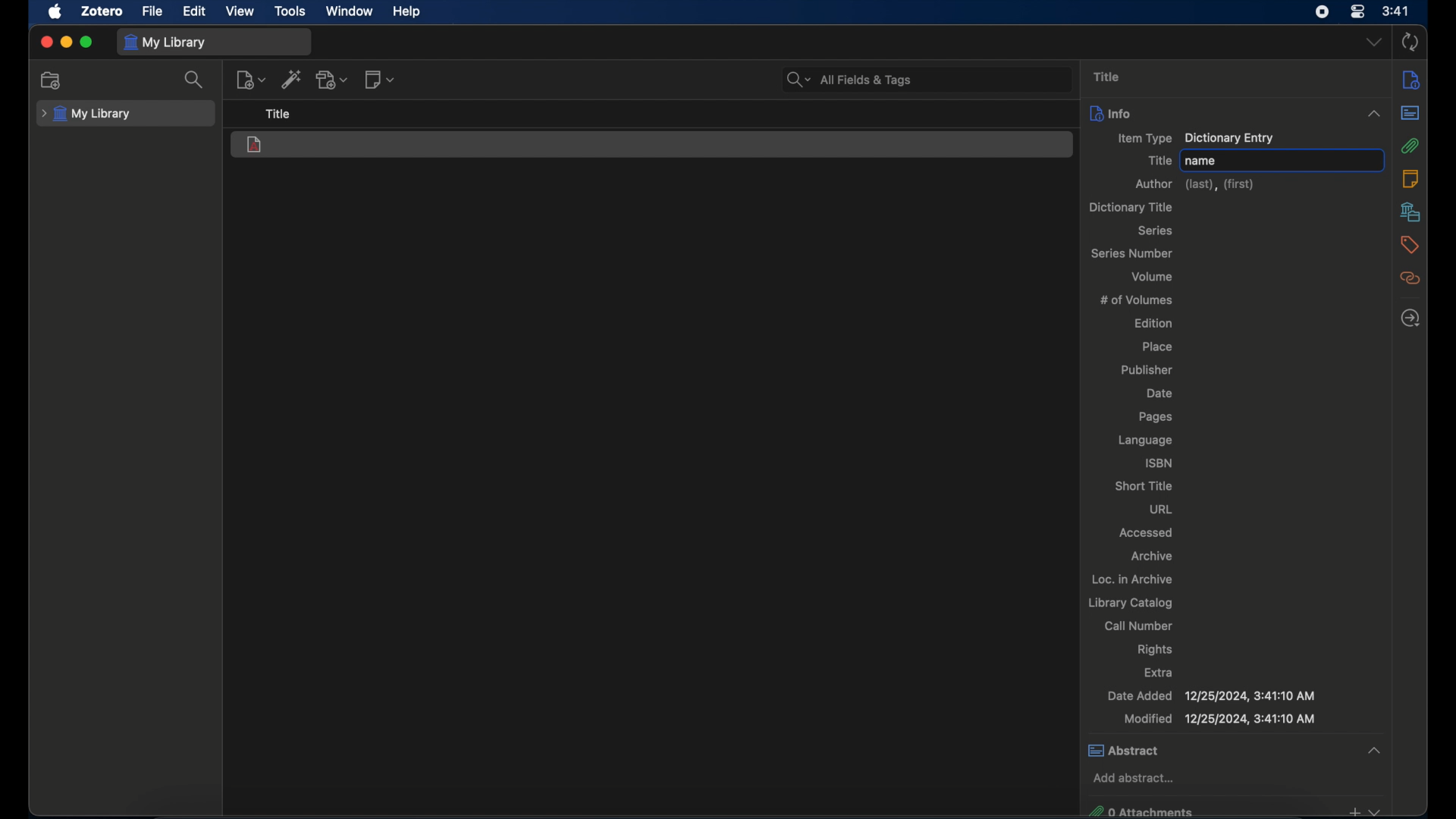 Image resolution: width=1456 pixels, height=819 pixels. What do you see at coordinates (1134, 253) in the screenshot?
I see `series number` at bounding box center [1134, 253].